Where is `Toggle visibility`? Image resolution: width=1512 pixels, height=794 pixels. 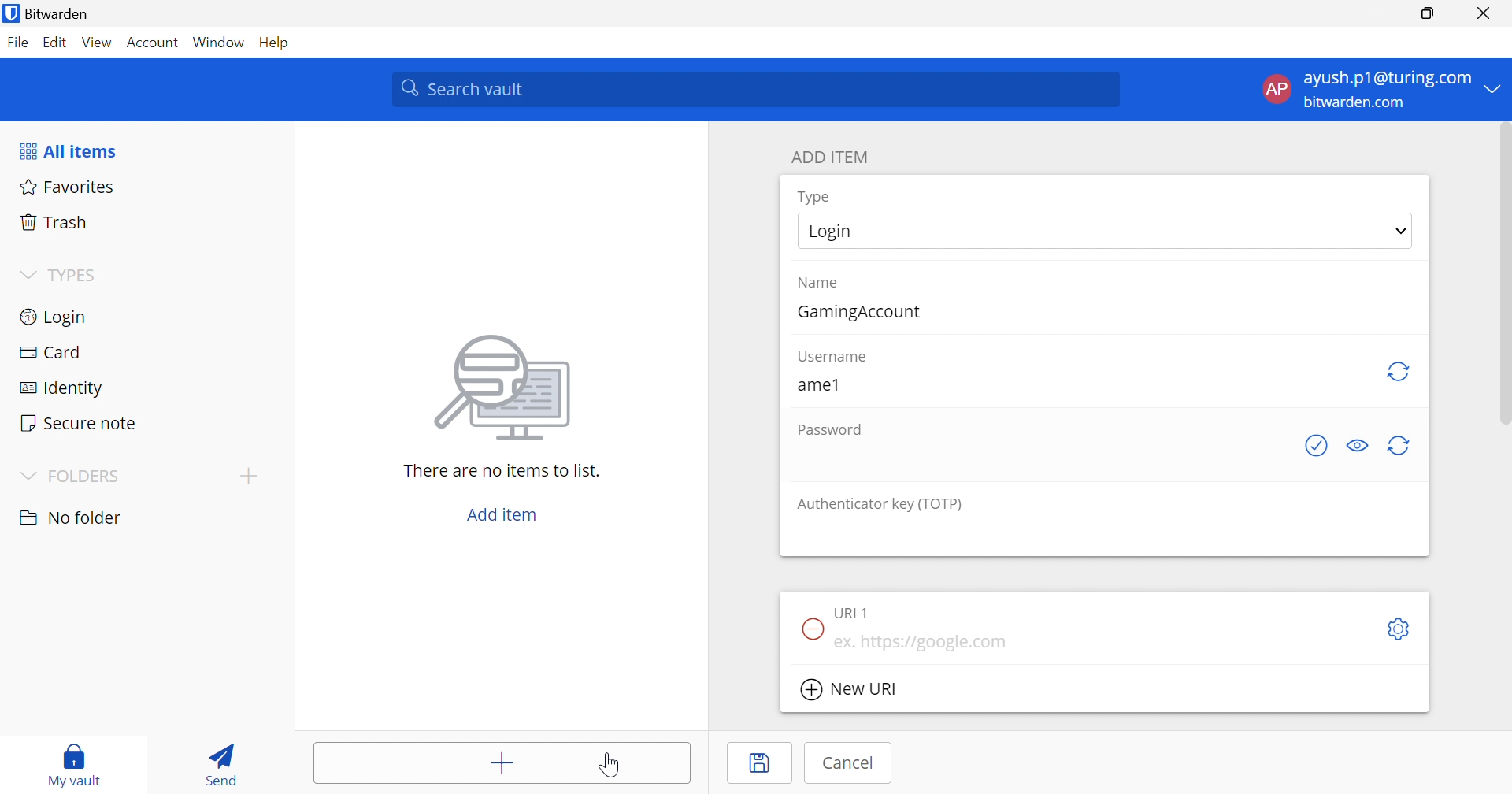
Toggle visibility is located at coordinates (1362, 445).